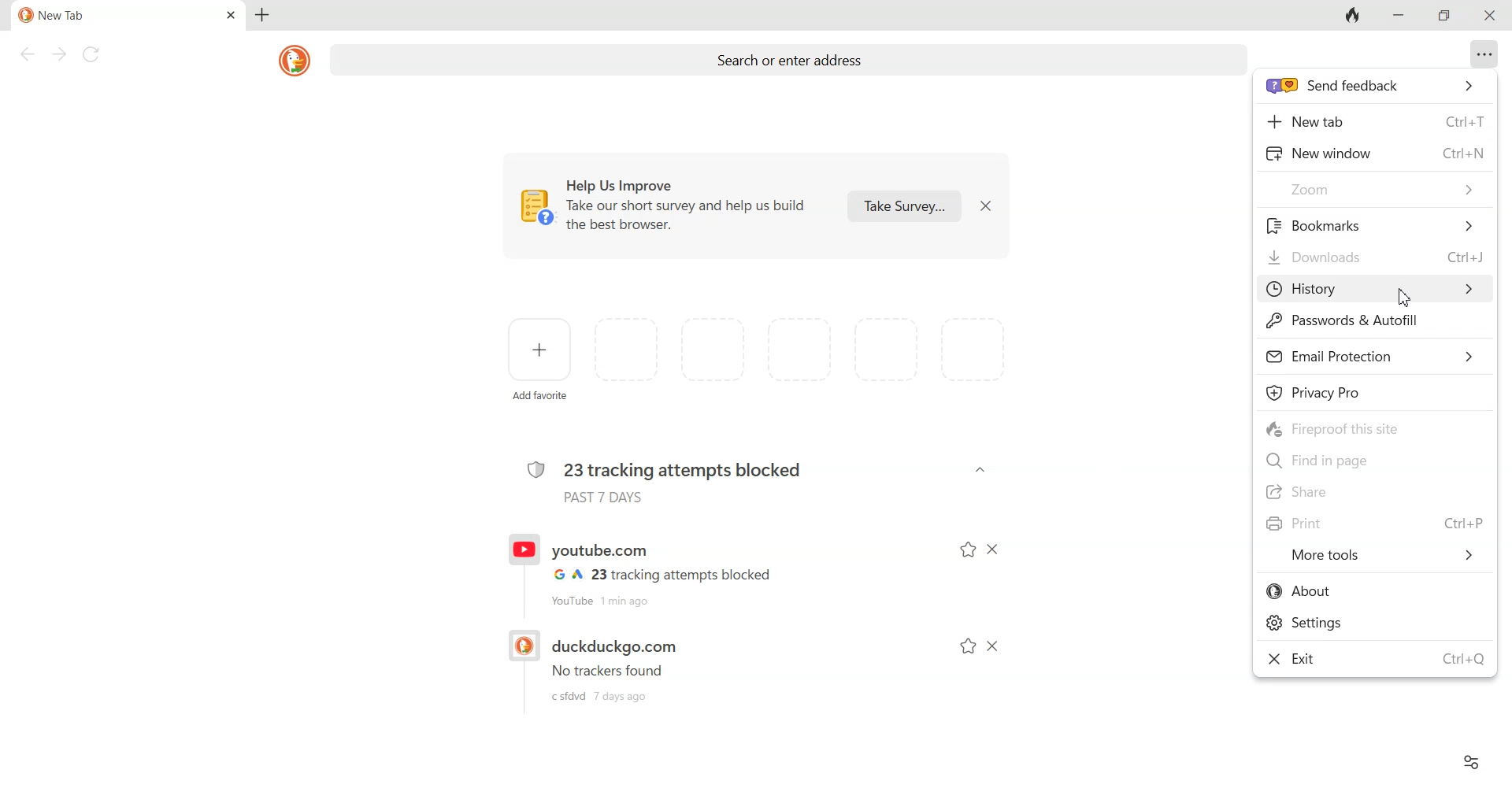  Describe the element at coordinates (1374, 225) in the screenshot. I see `Bookmark` at that location.